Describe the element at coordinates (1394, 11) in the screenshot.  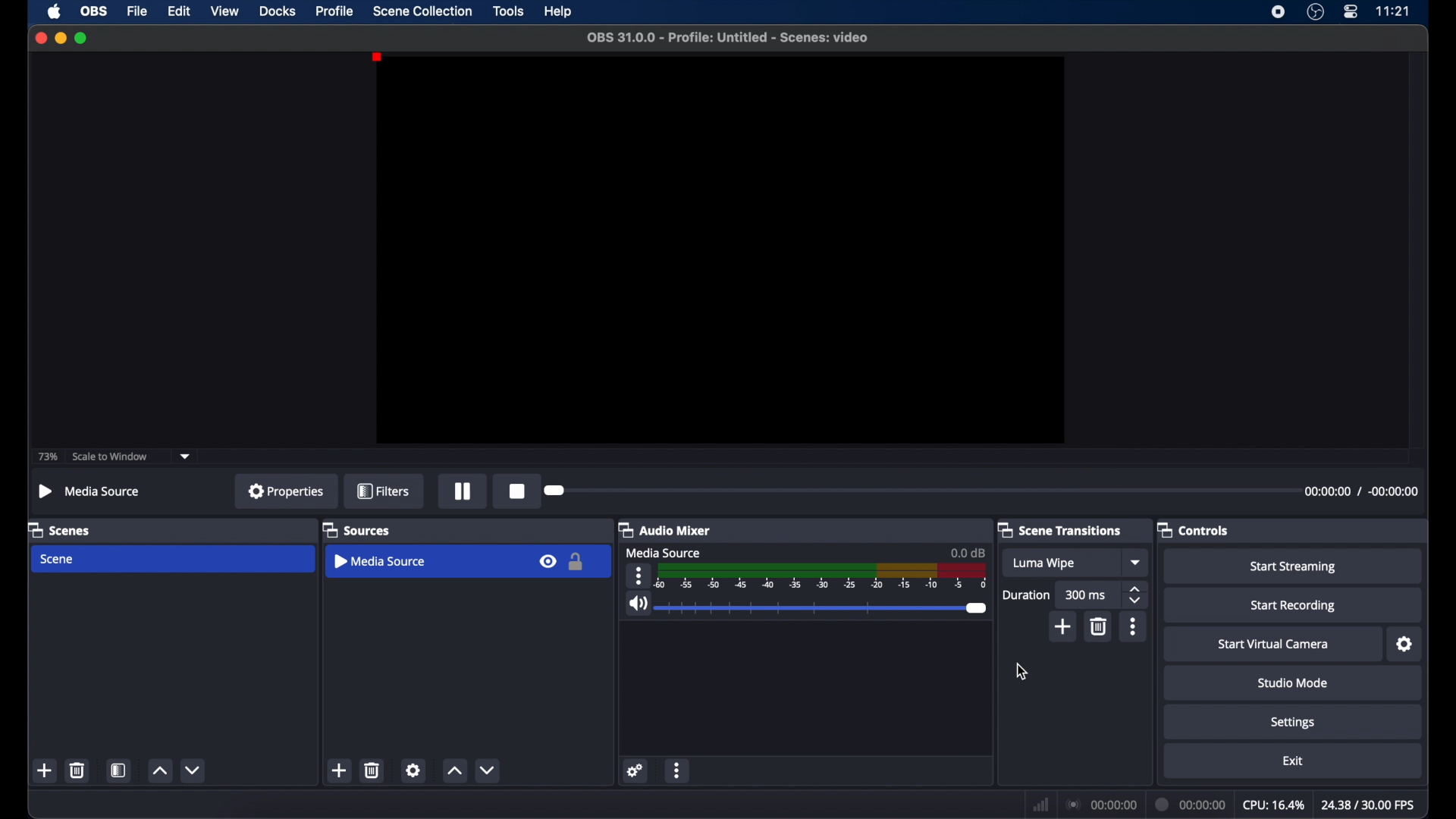
I see `time` at that location.